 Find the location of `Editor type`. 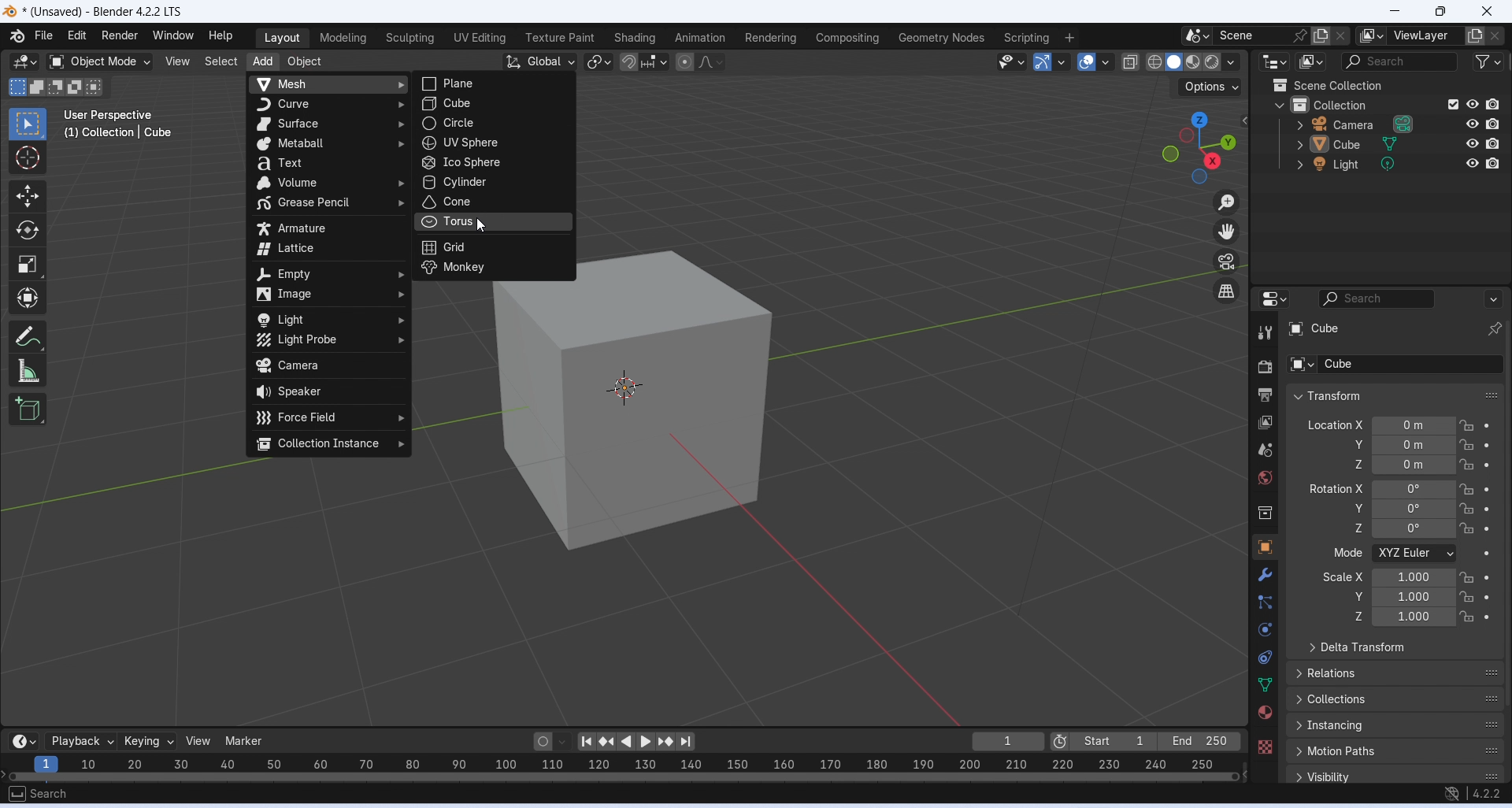

Editor type is located at coordinates (1277, 61).